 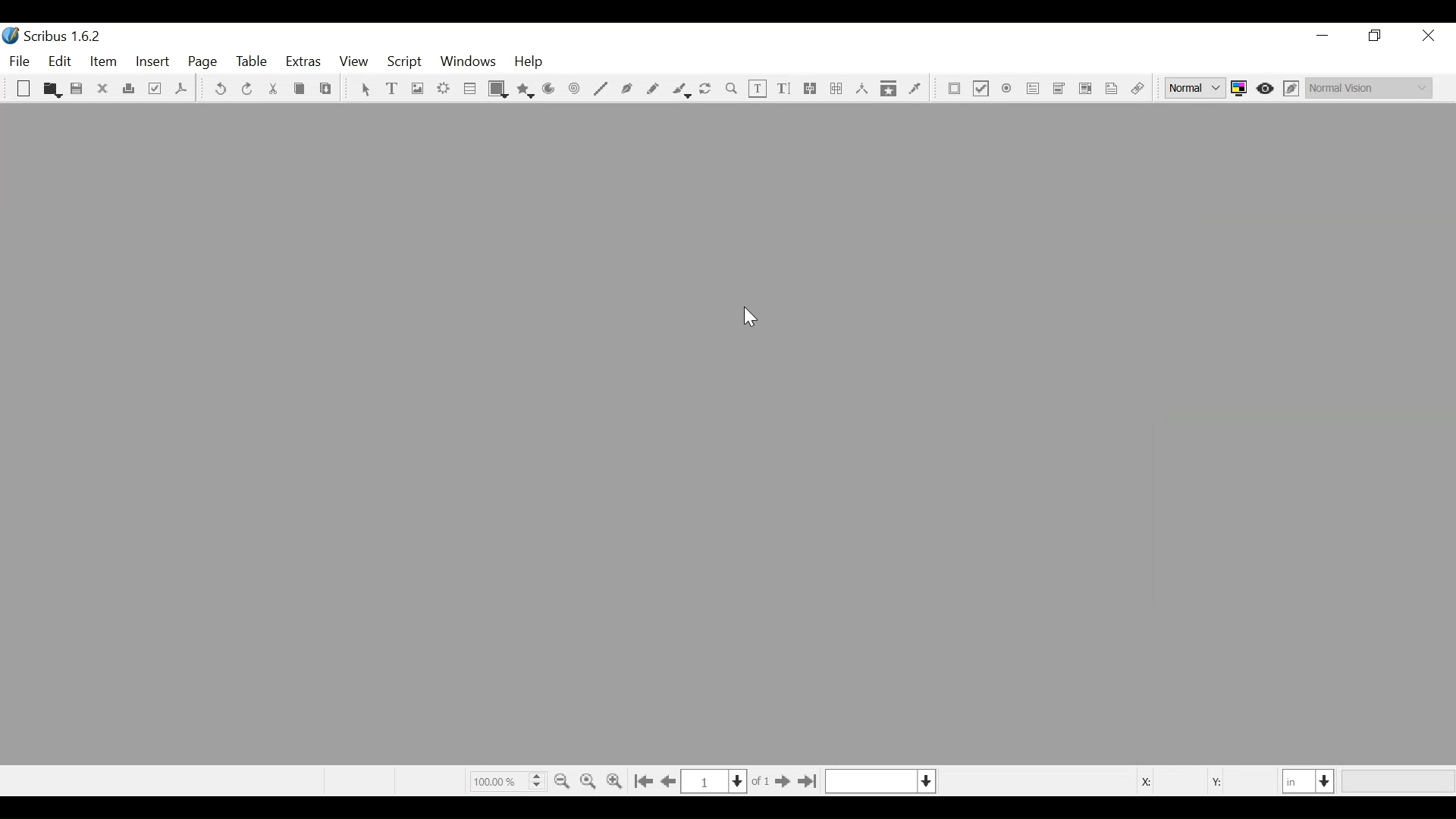 What do you see at coordinates (955, 89) in the screenshot?
I see `PDF Push Button` at bounding box center [955, 89].